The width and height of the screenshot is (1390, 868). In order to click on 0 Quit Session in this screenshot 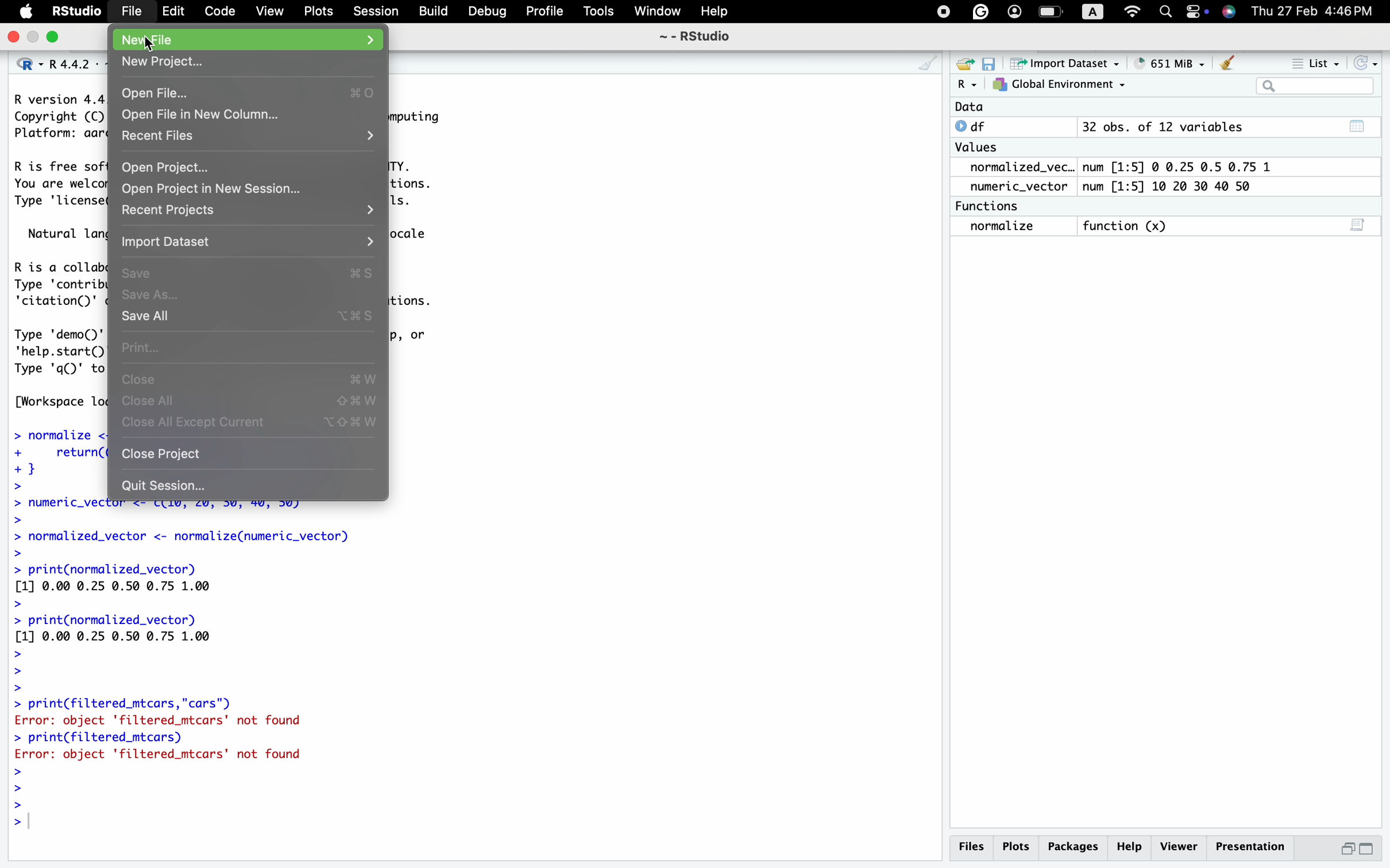, I will do `click(177, 485)`.